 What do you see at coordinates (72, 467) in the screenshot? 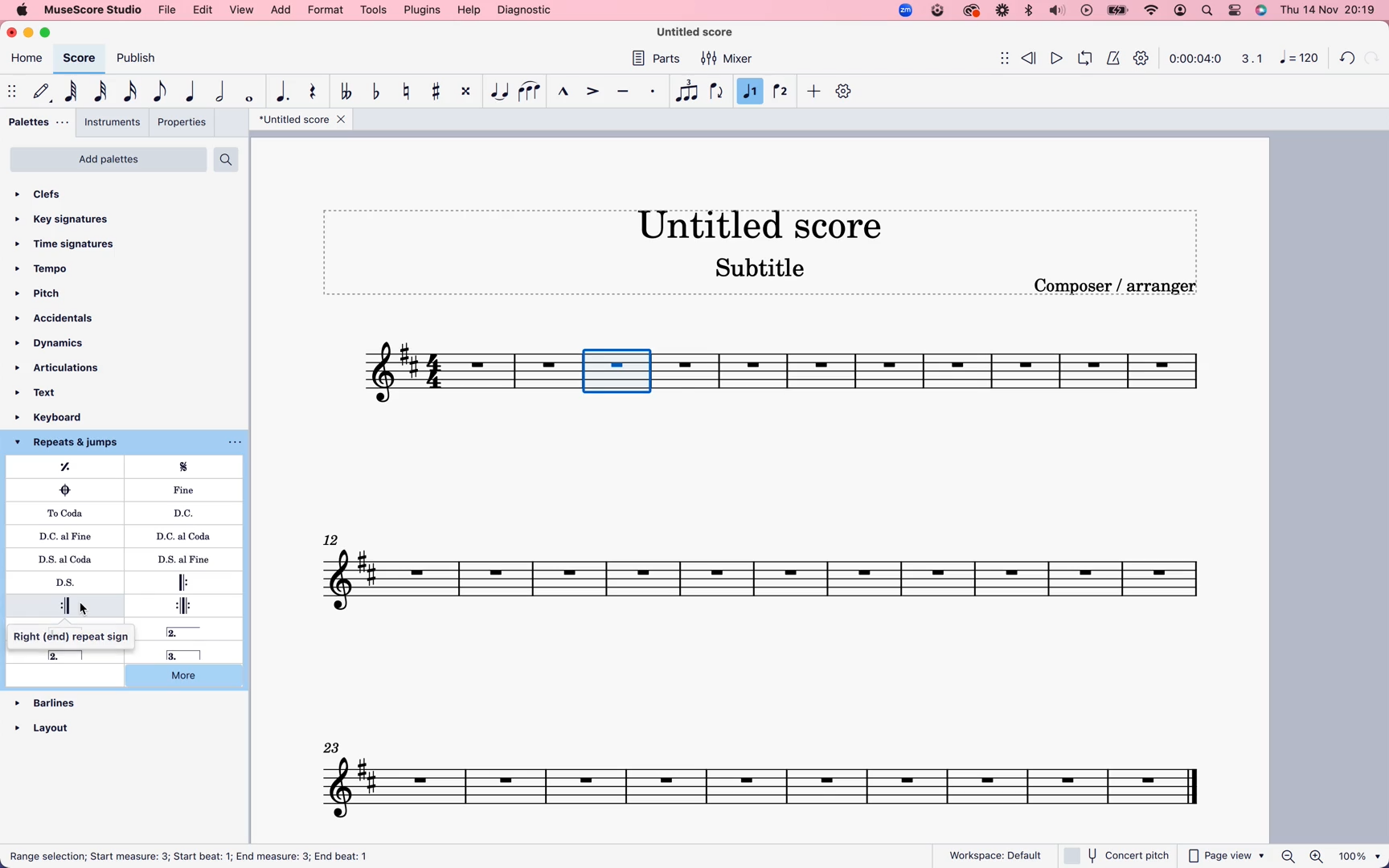
I see `repeat last measure` at bounding box center [72, 467].